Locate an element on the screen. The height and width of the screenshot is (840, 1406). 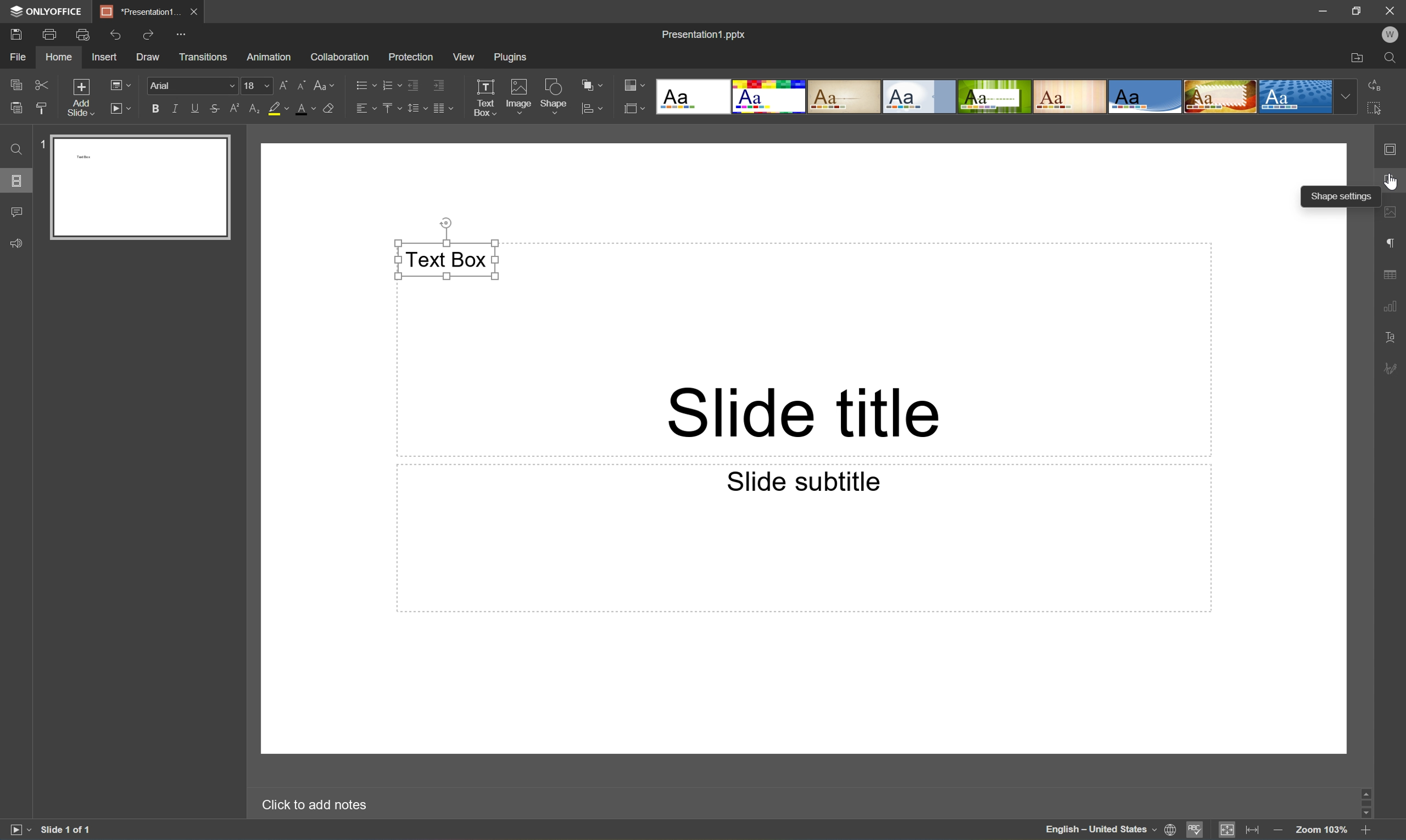
Insert is located at coordinates (102, 57).